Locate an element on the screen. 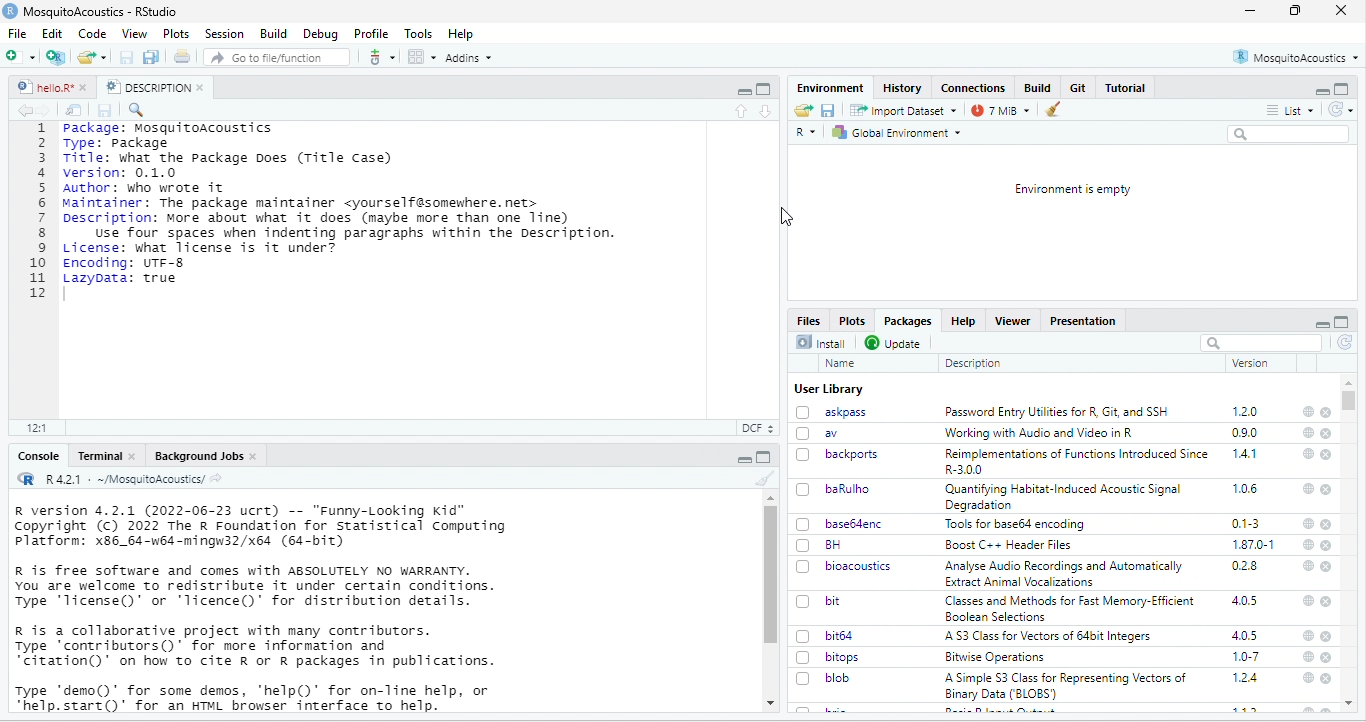  help is located at coordinates (1307, 657).